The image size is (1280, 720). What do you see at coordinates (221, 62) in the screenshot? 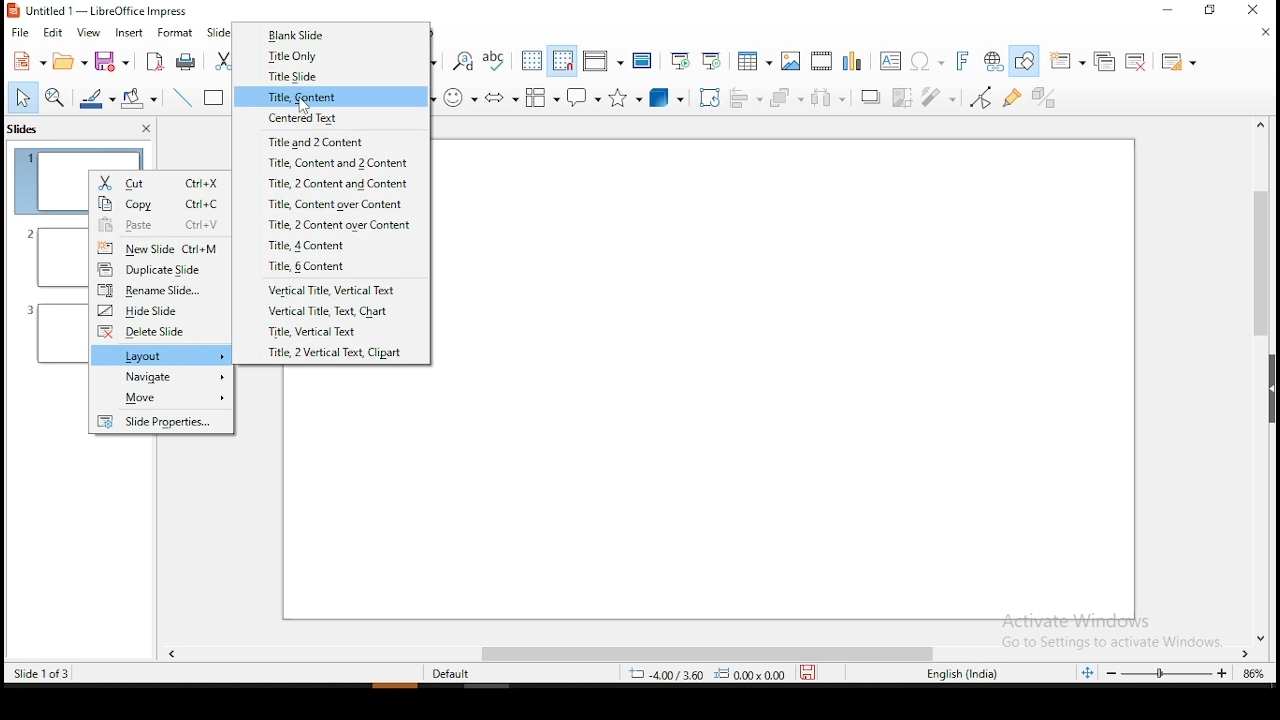
I see `cut` at bounding box center [221, 62].